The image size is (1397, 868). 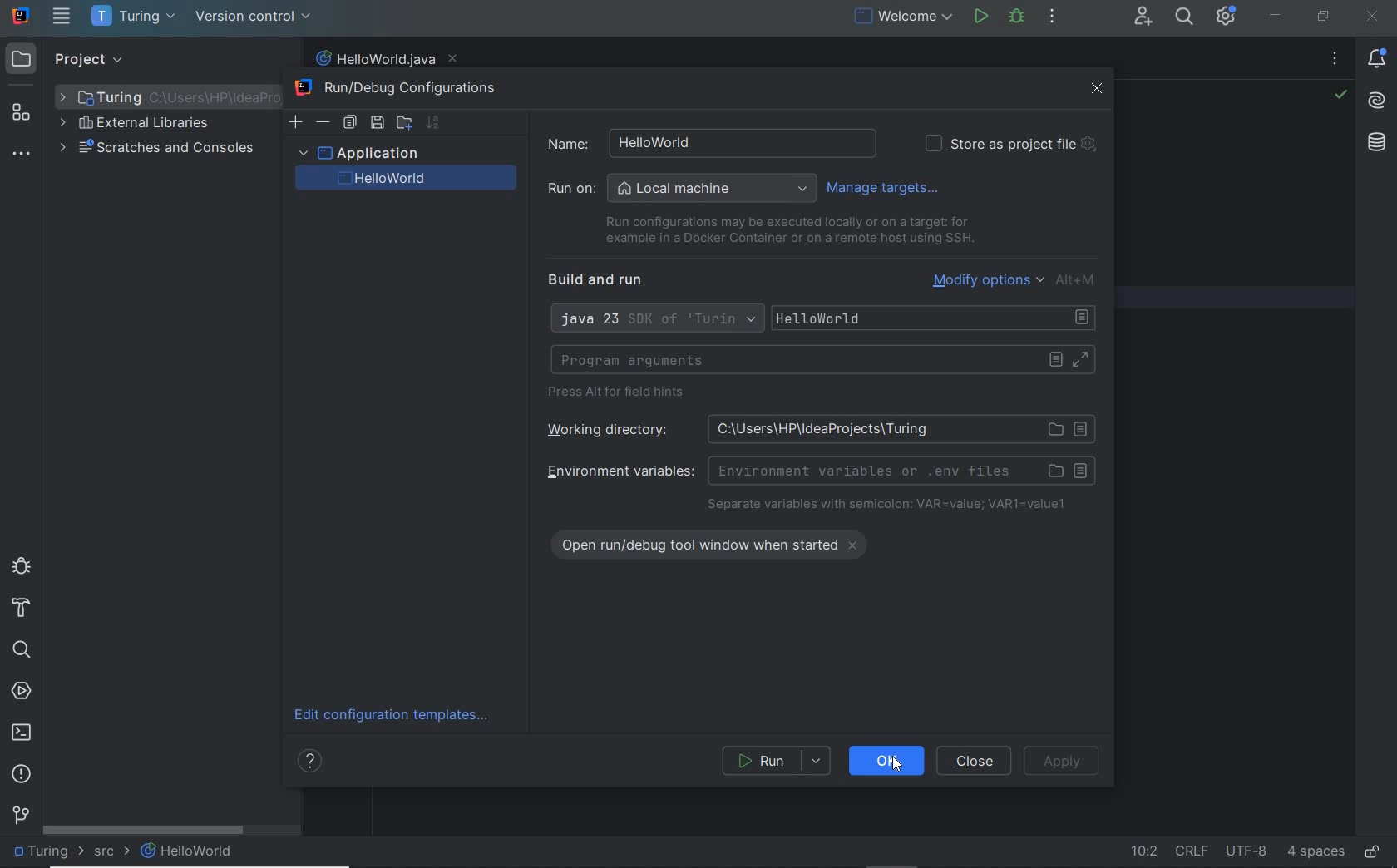 I want to click on Project folder, so click(x=163, y=96).